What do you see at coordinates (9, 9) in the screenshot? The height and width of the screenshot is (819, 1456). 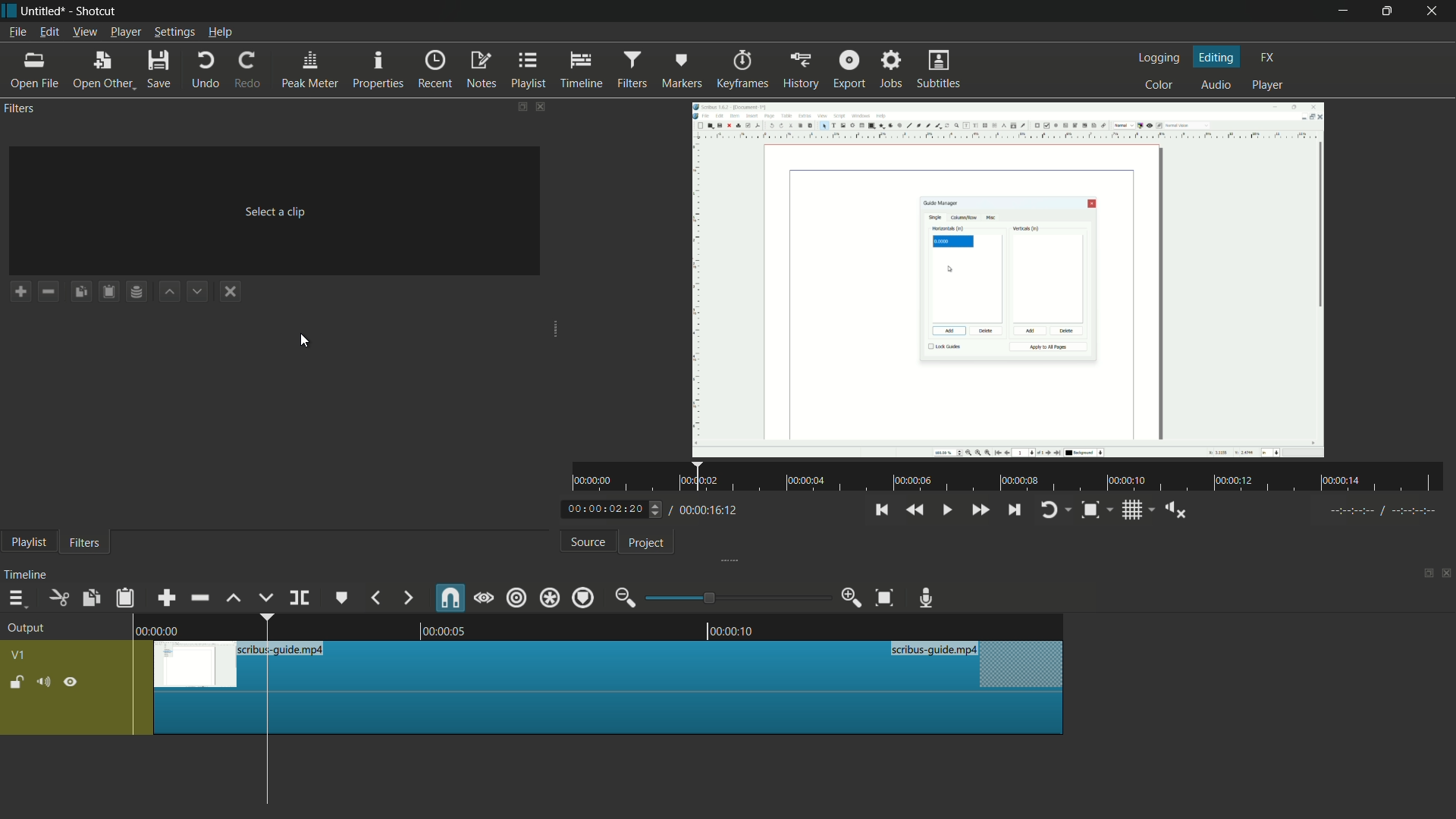 I see `app icon` at bounding box center [9, 9].